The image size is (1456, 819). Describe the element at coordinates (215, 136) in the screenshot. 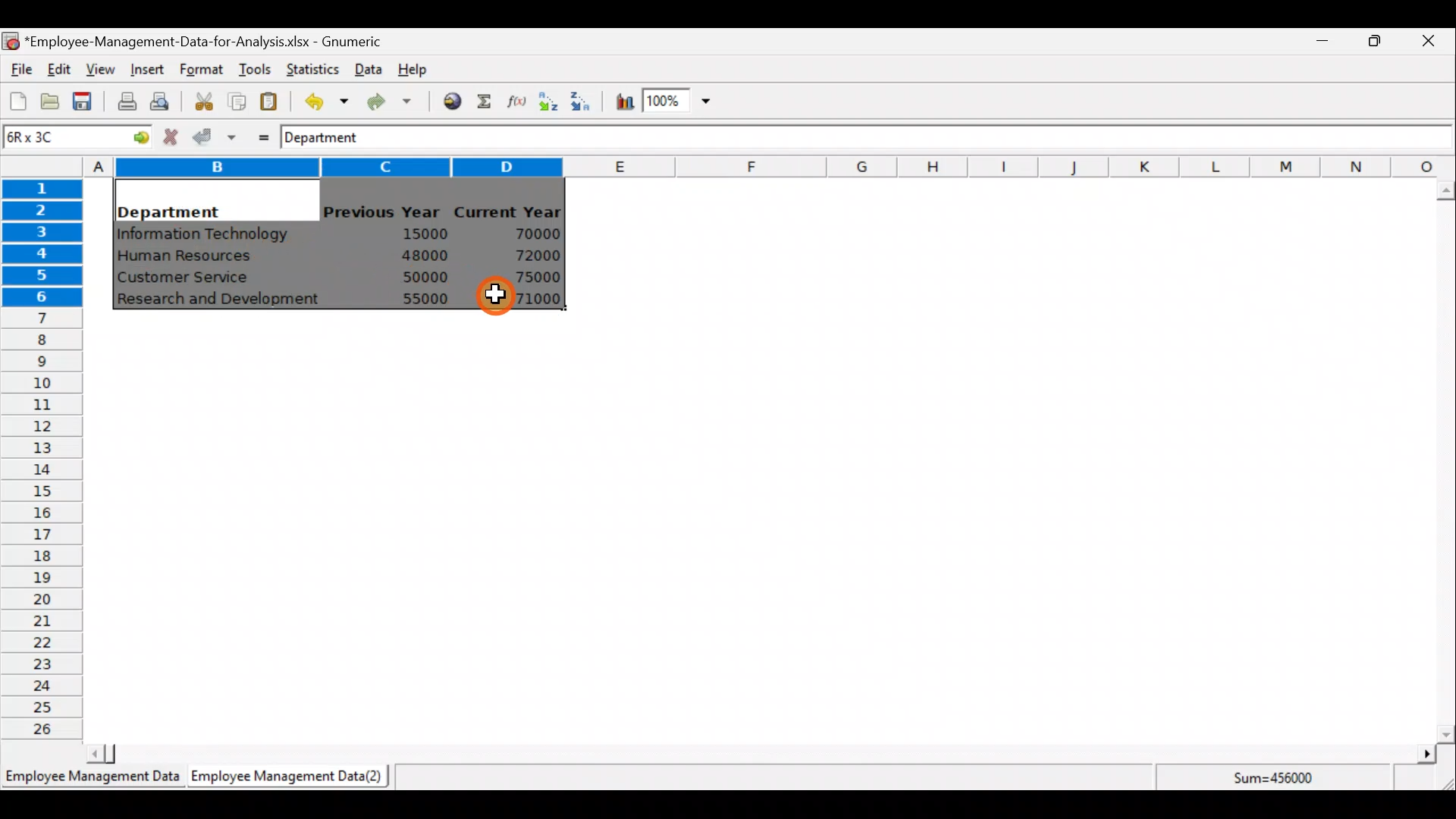

I see `Accept change` at that location.